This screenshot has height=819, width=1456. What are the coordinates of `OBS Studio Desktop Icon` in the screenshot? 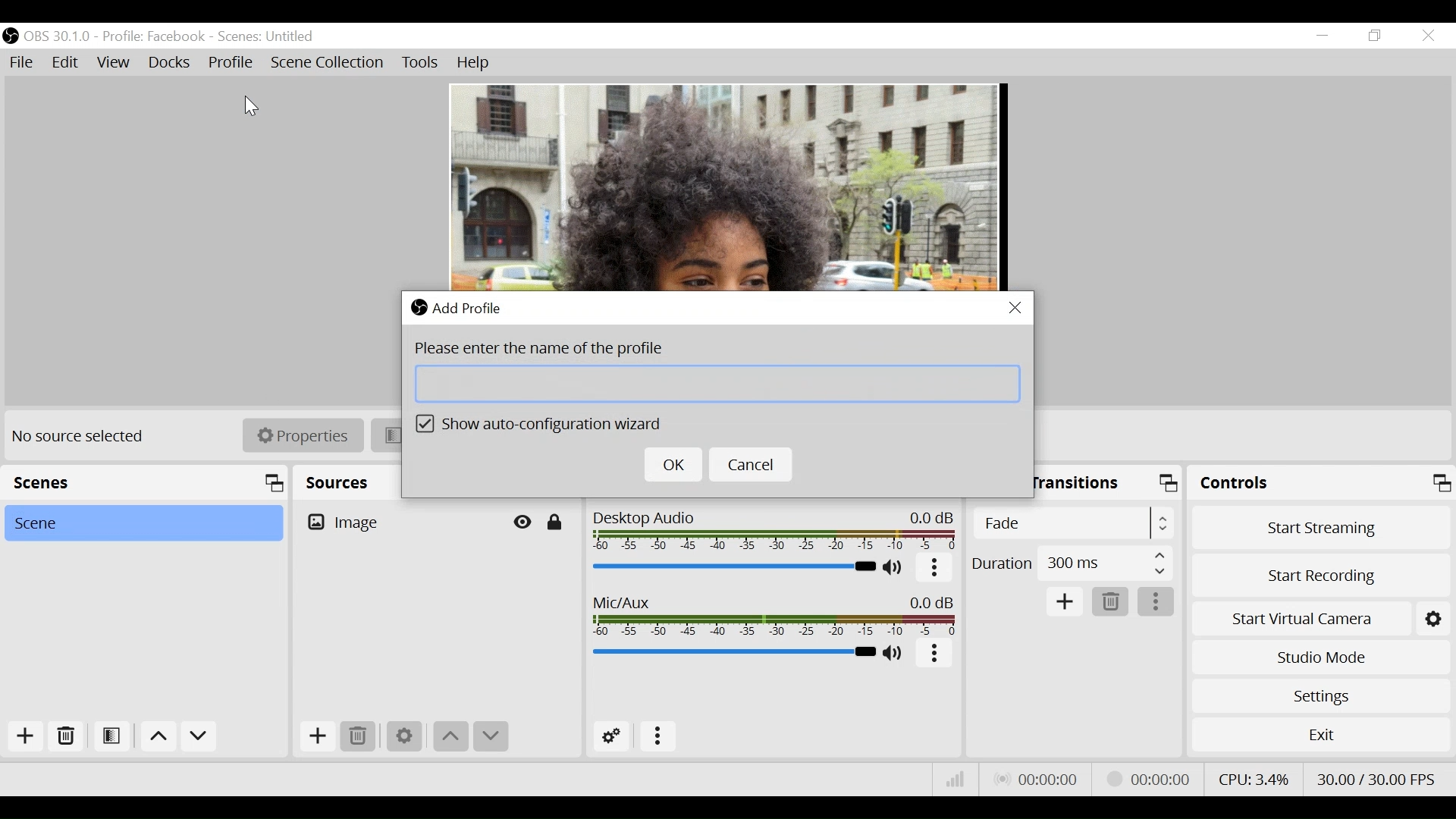 It's located at (11, 35).